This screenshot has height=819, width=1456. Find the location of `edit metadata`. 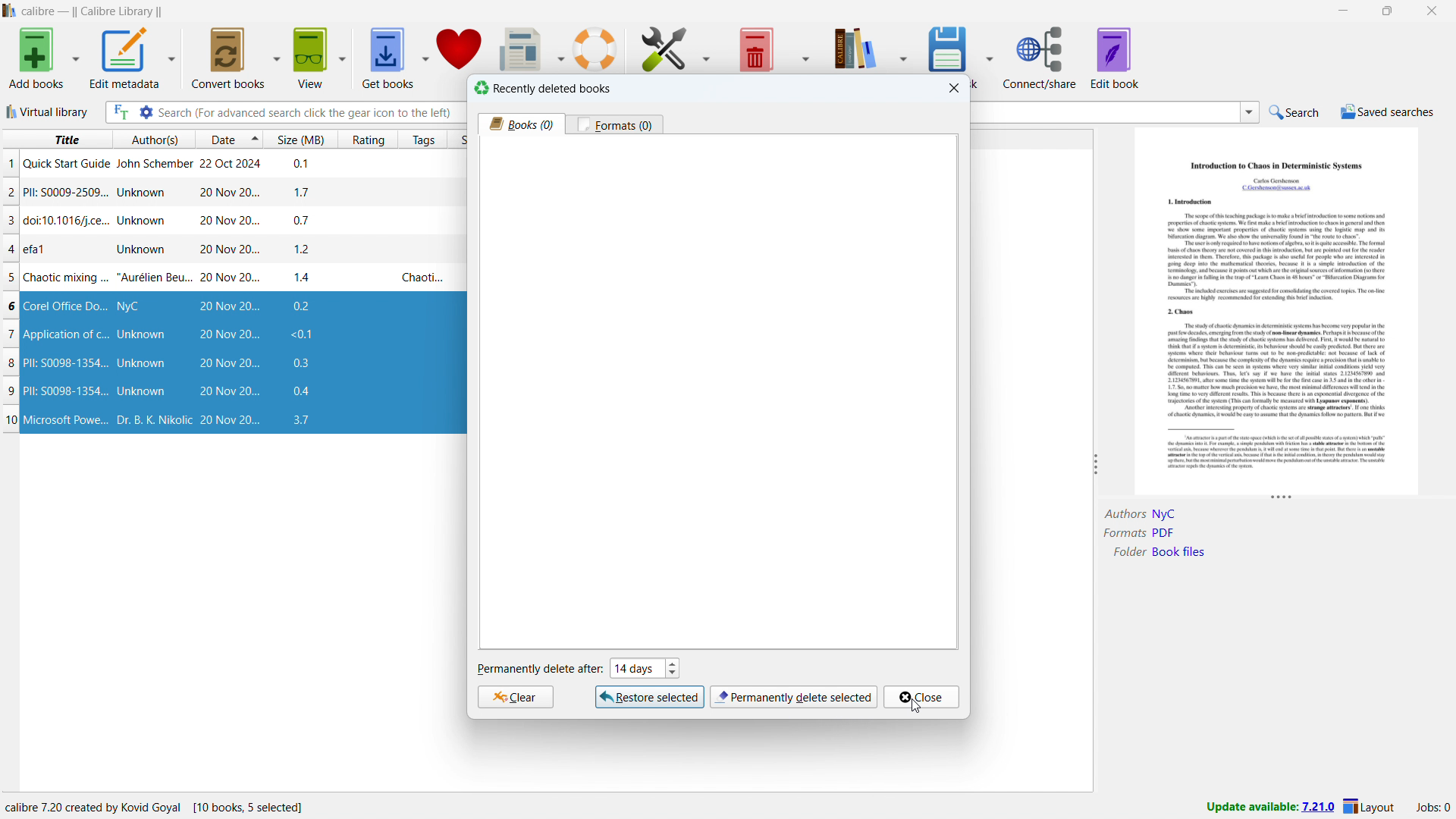

edit metadata is located at coordinates (124, 58).